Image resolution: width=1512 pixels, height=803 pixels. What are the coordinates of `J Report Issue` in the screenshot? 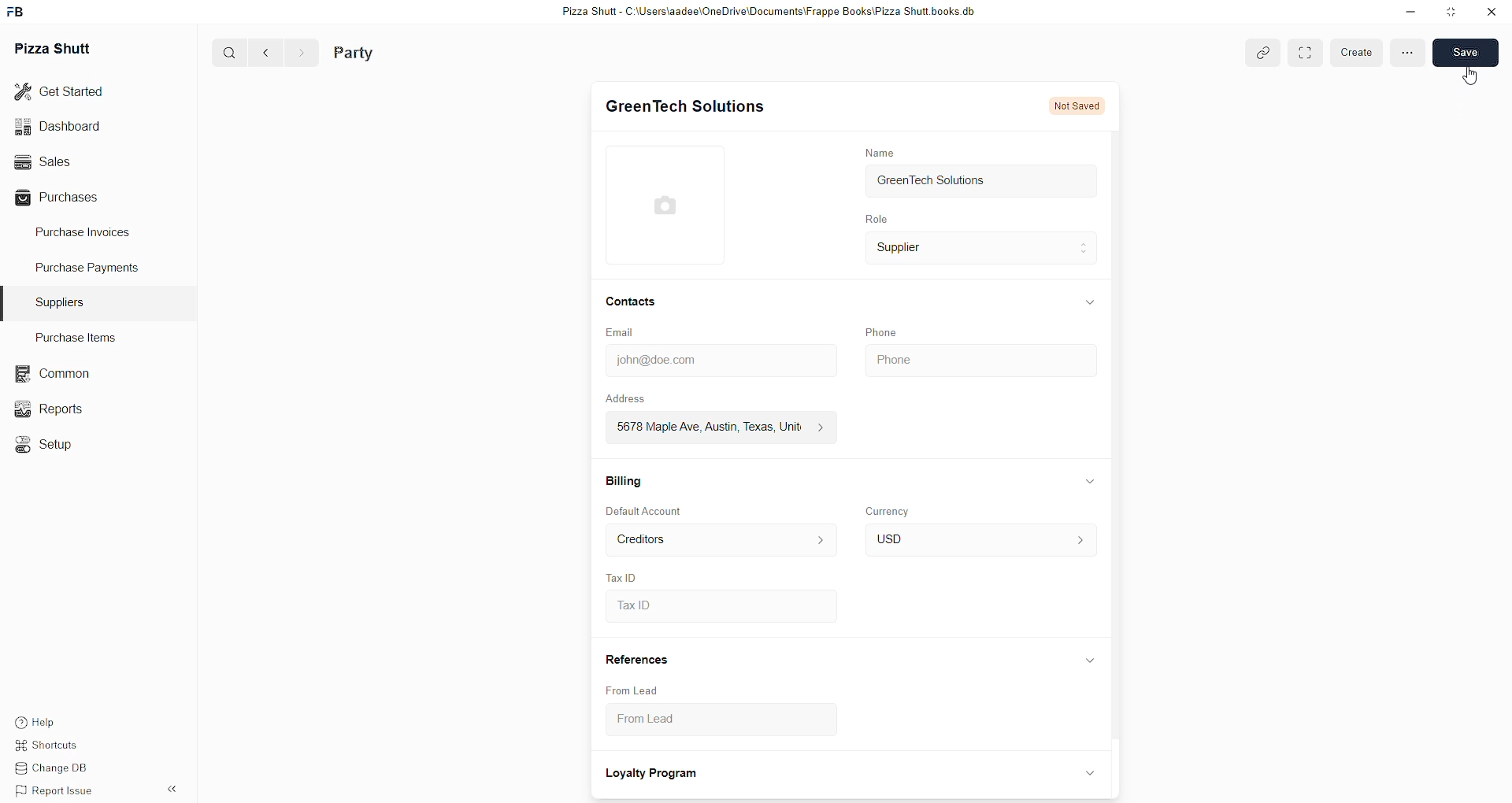 It's located at (57, 792).